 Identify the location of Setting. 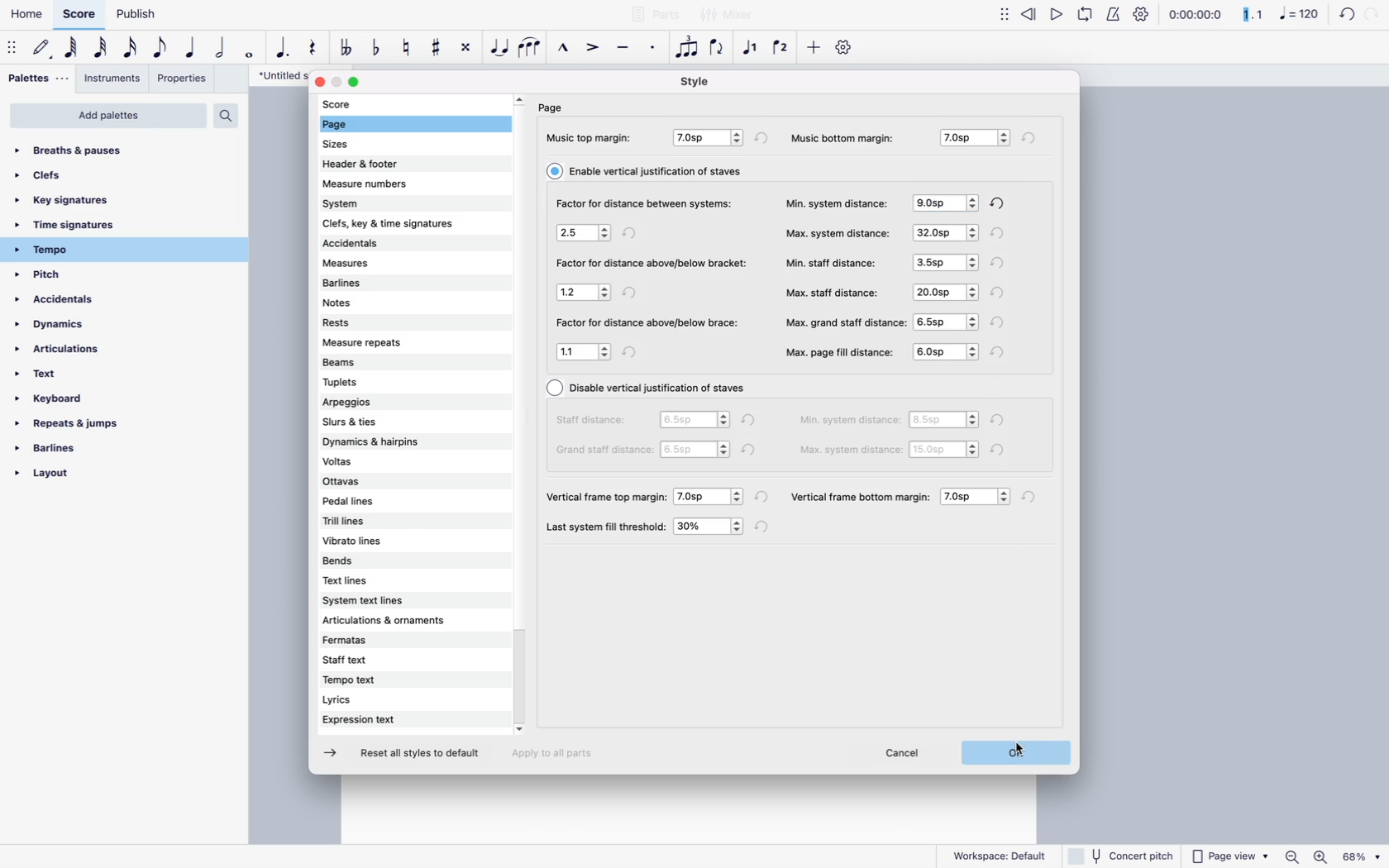
(1136, 15).